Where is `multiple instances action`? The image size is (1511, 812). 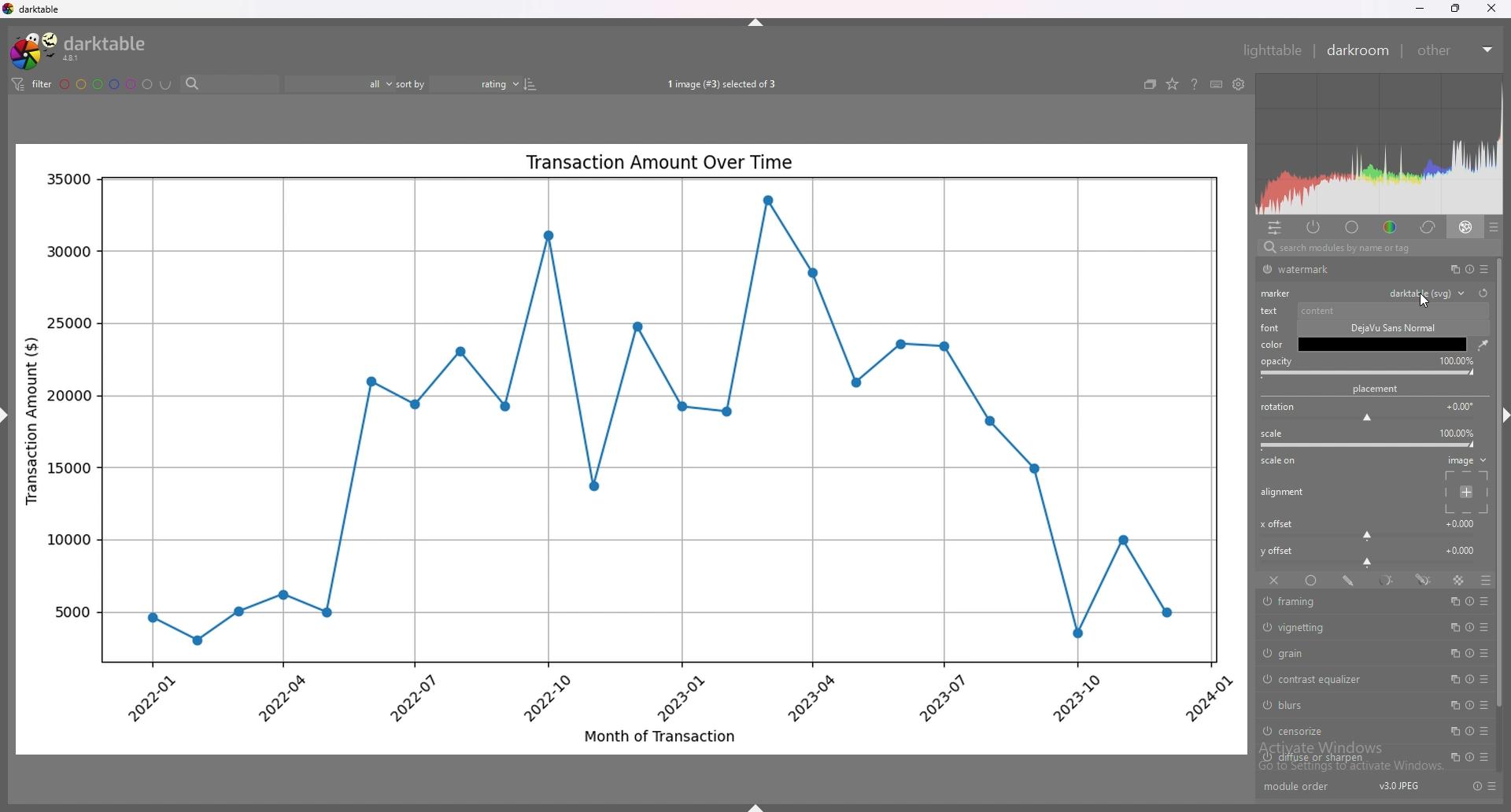 multiple instances action is located at coordinates (1453, 628).